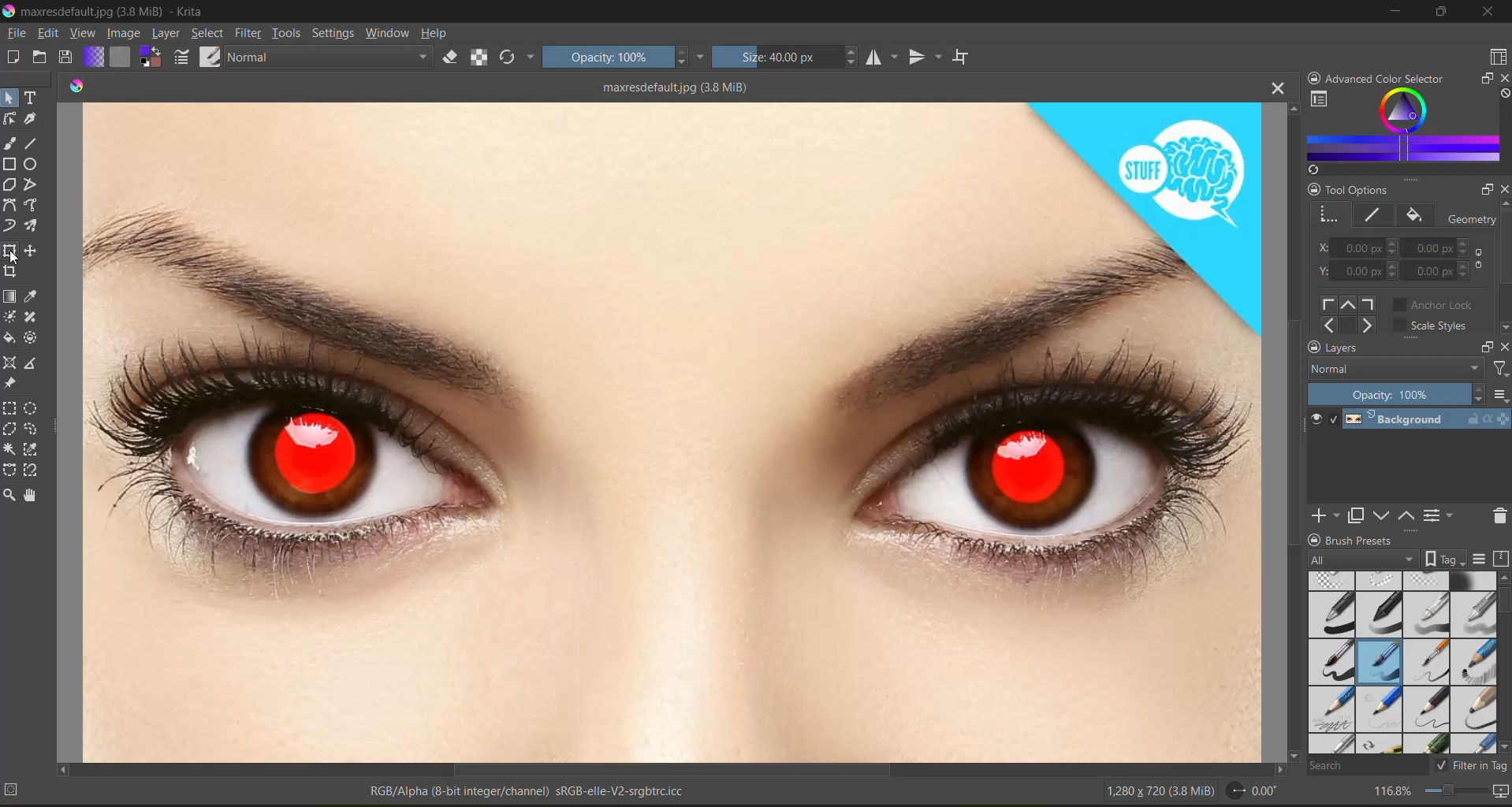 The width and height of the screenshot is (1512, 807). Describe the element at coordinates (1276, 89) in the screenshot. I see `close tab` at that location.